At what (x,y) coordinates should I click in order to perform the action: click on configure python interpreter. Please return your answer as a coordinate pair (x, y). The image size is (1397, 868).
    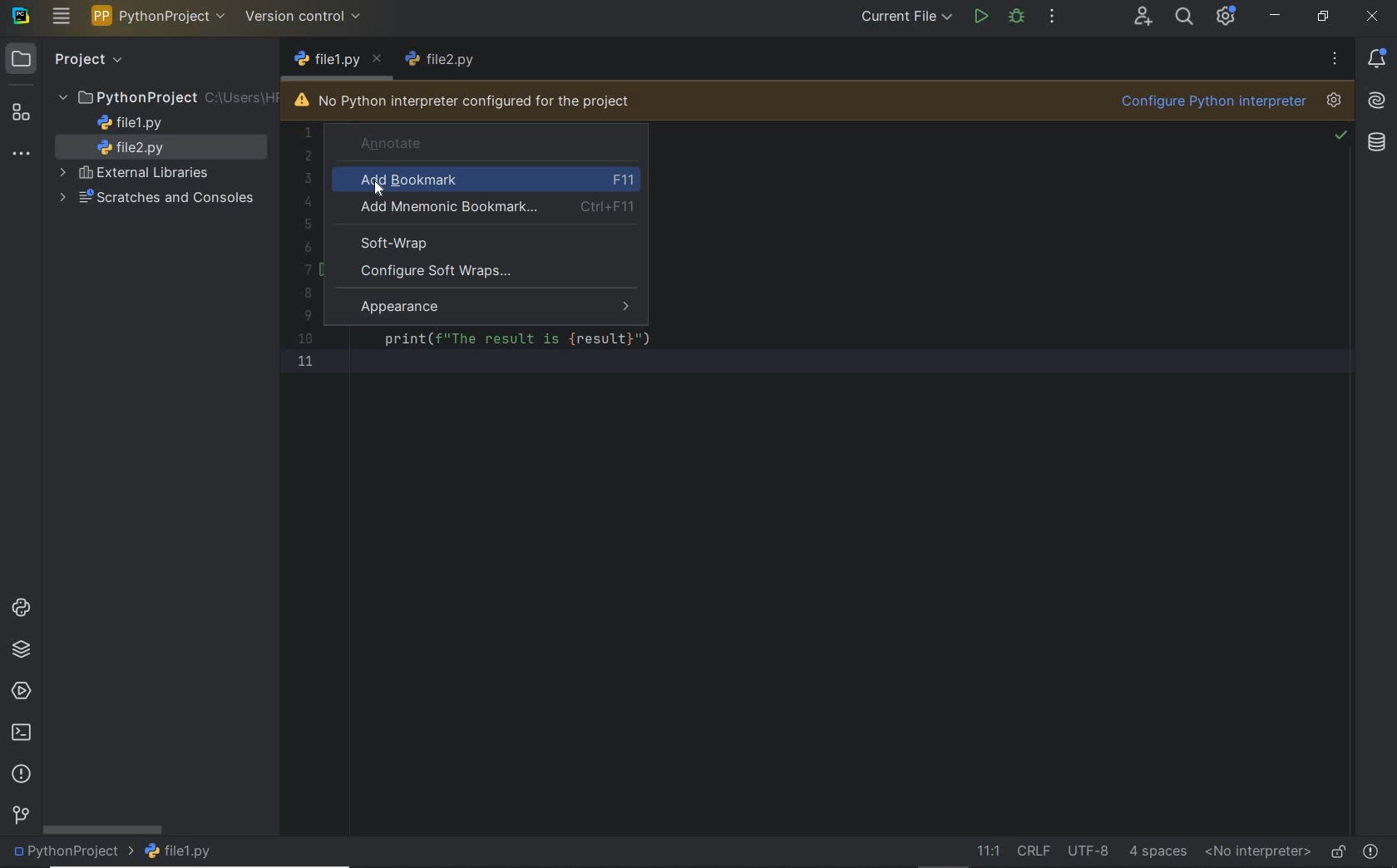
    Looking at the image, I should click on (1230, 102).